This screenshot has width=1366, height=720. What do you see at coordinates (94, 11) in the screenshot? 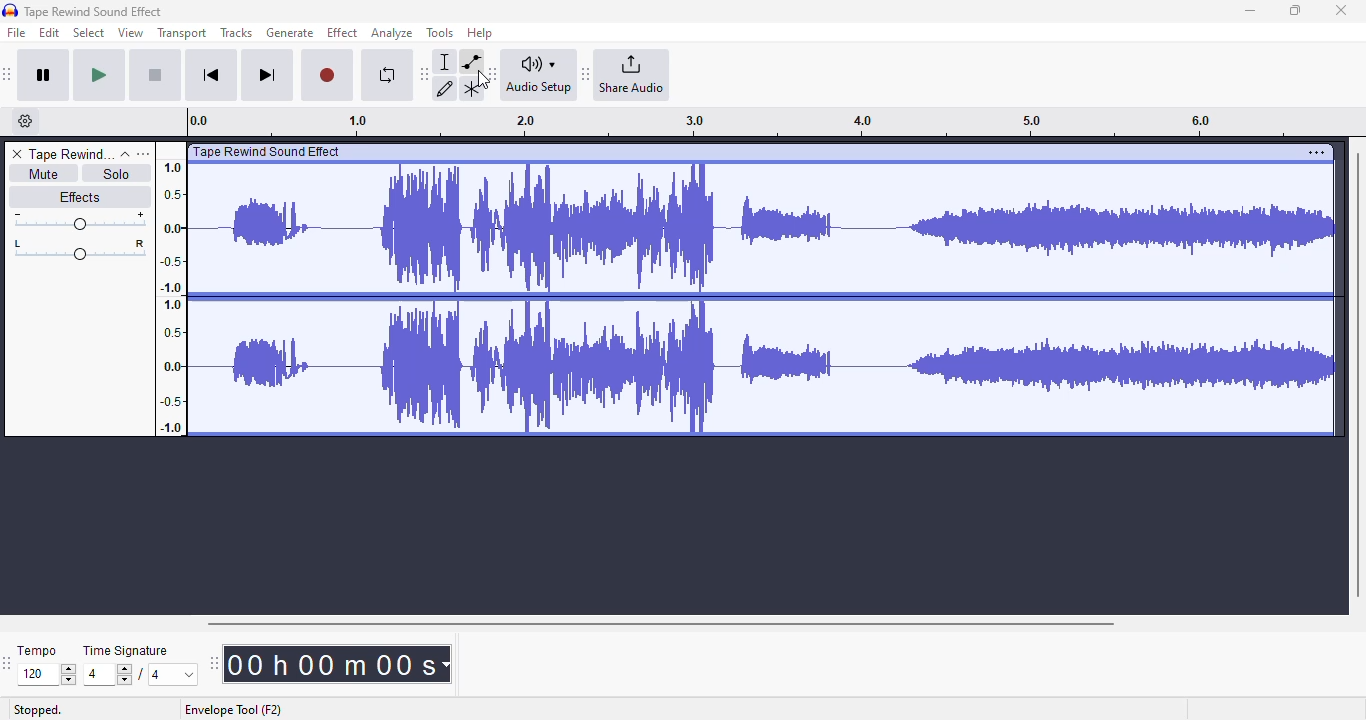
I see `title` at bounding box center [94, 11].